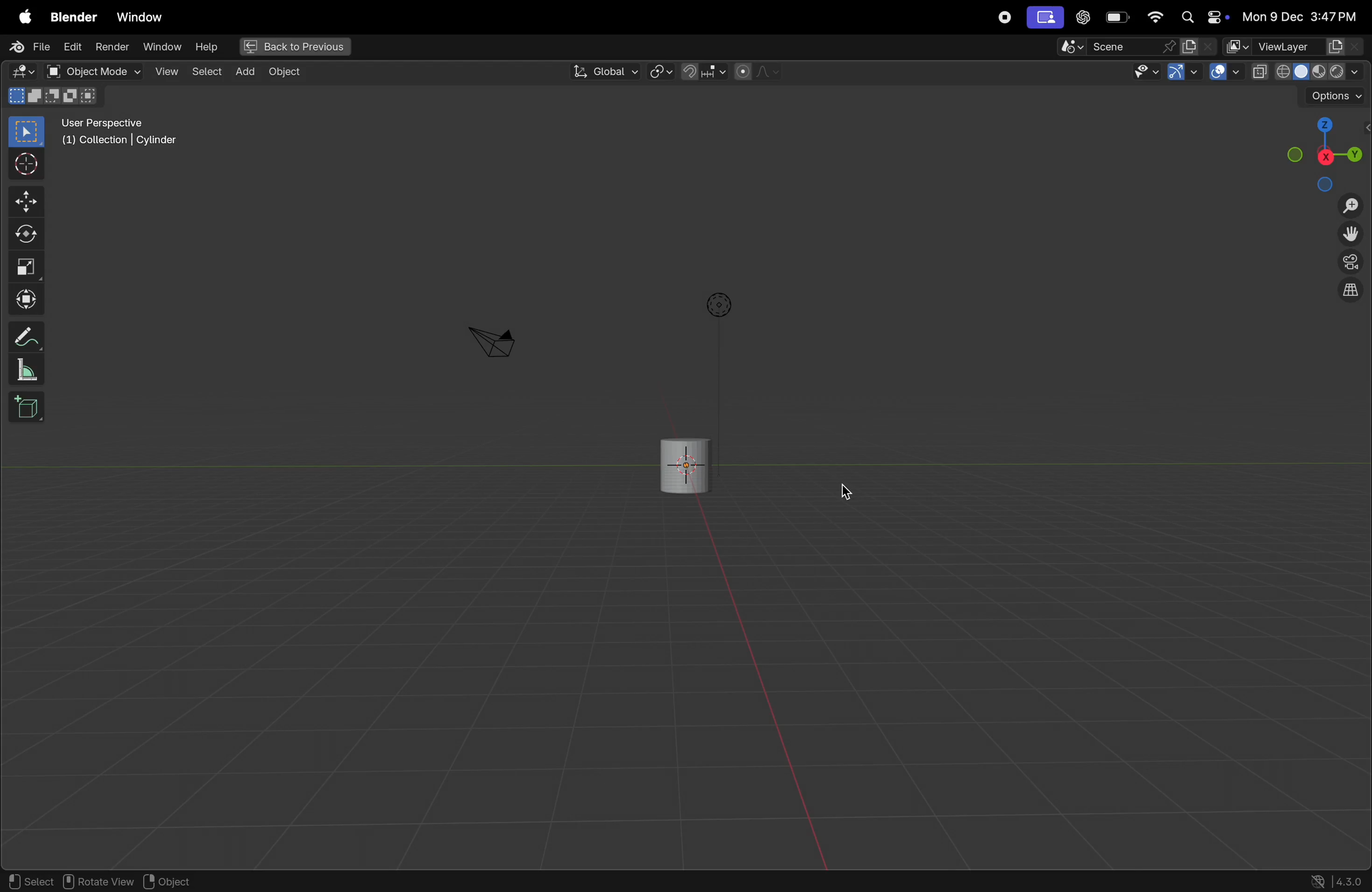 This screenshot has height=892, width=1372. What do you see at coordinates (112, 48) in the screenshot?
I see `render` at bounding box center [112, 48].